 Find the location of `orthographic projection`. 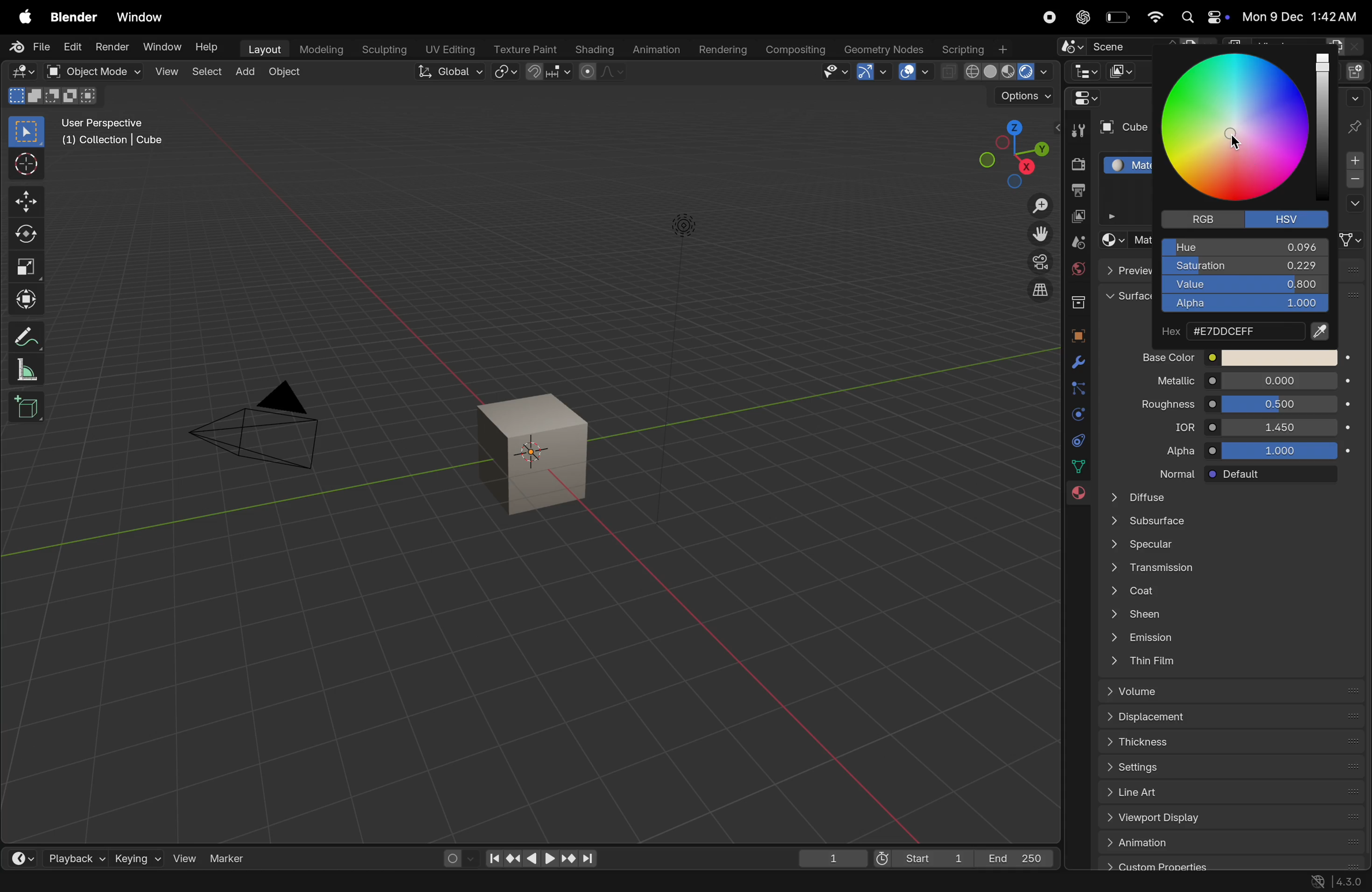

orthographic projection is located at coordinates (1041, 290).